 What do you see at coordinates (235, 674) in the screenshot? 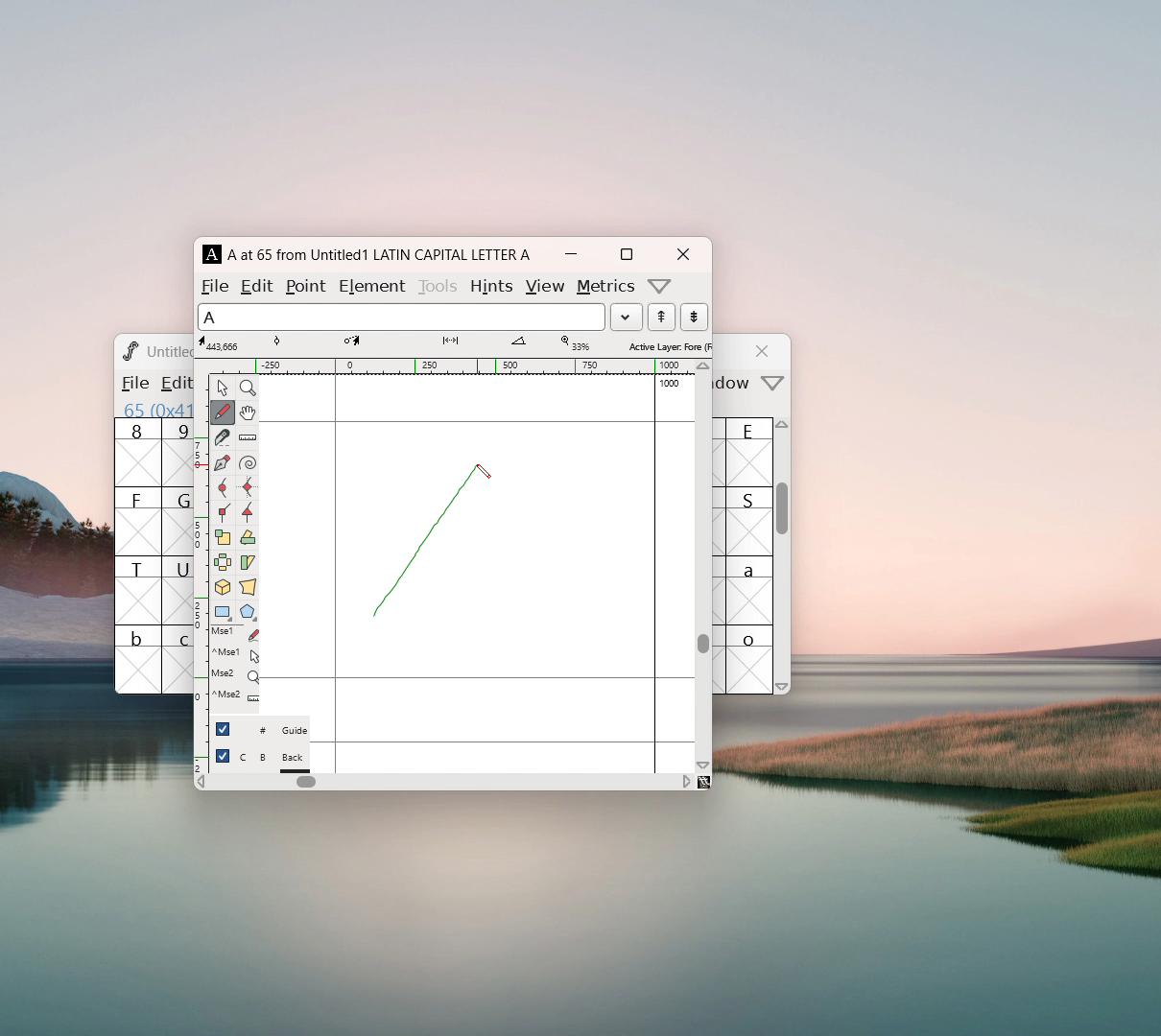
I see `Mse2` at bounding box center [235, 674].